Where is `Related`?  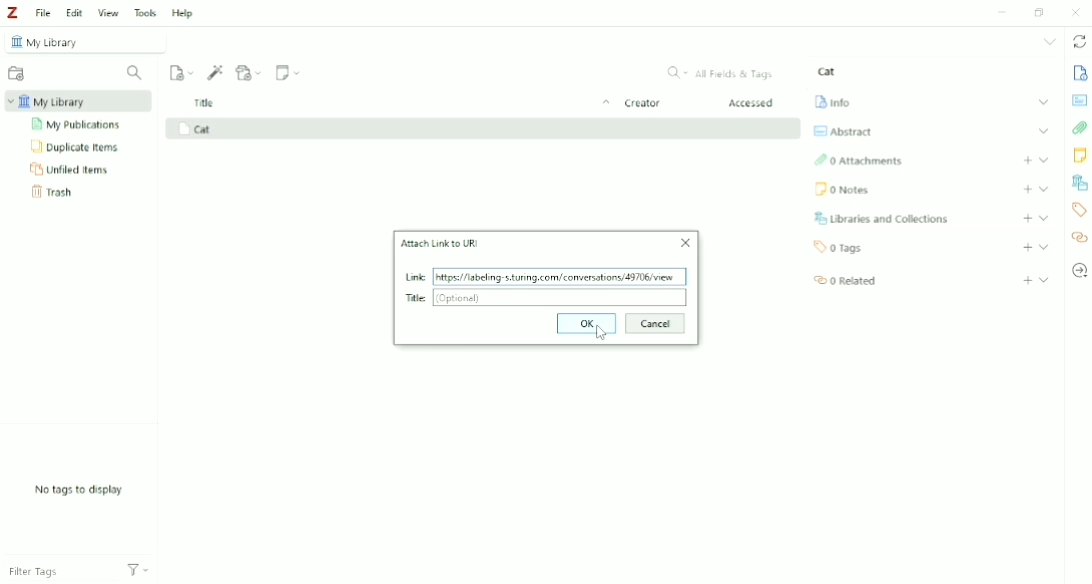
Related is located at coordinates (843, 279).